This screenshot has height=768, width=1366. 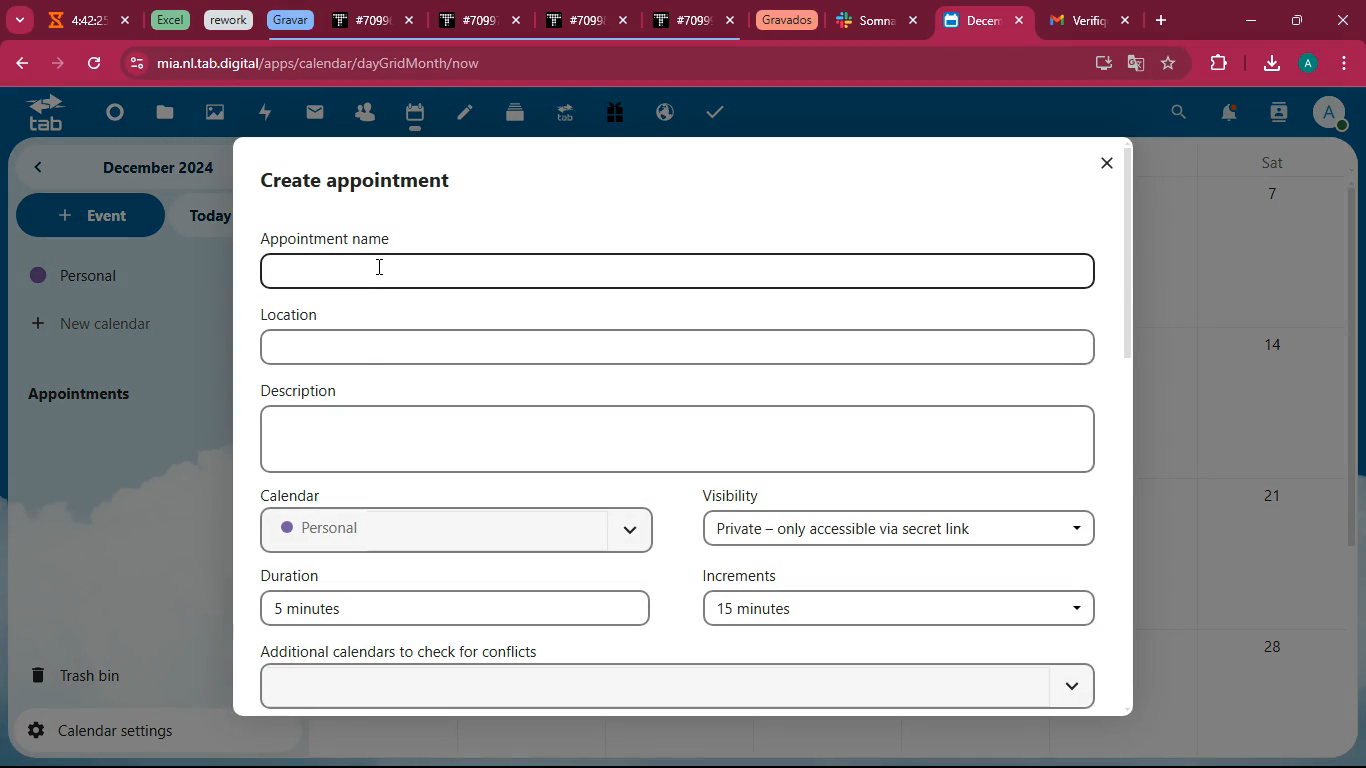 What do you see at coordinates (1136, 63) in the screenshot?
I see `google translator` at bounding box center [1136, 63].